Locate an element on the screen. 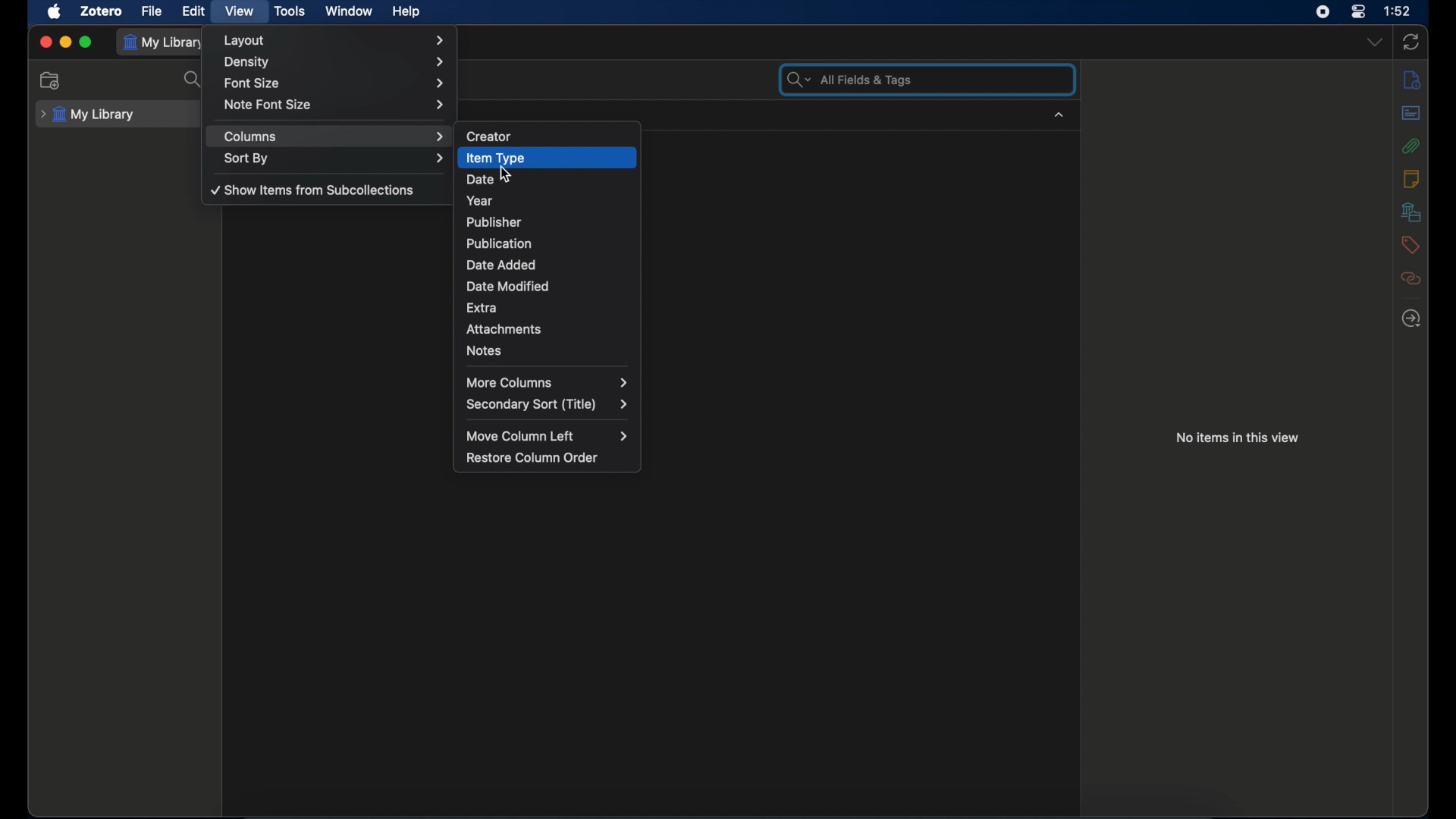  related is located at coordinates (1411, 278).